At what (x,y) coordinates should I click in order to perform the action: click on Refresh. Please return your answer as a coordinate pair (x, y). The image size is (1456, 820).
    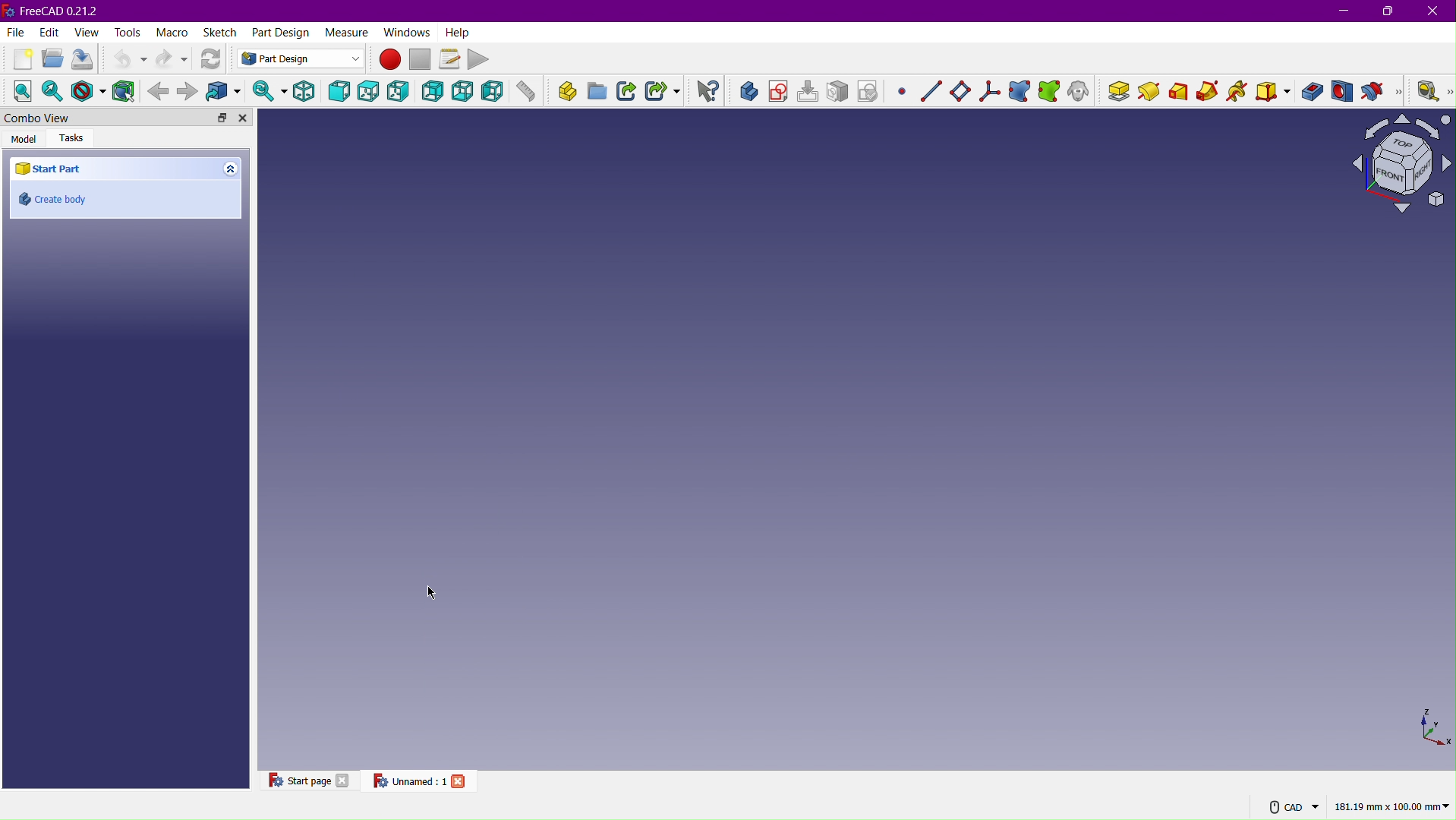
    Looking at the image, I should click on (215, 58).